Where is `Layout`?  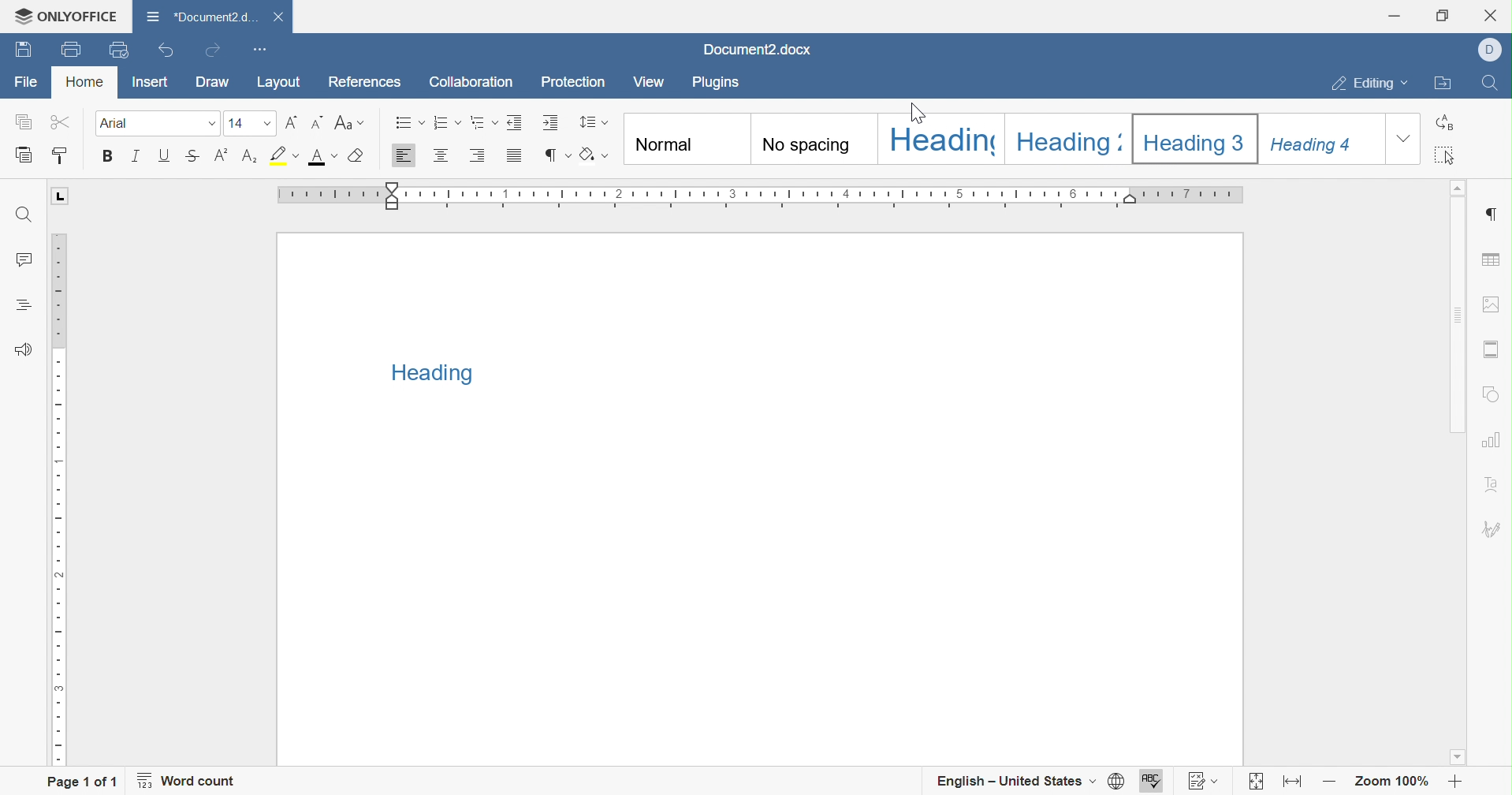
Layout is located at coordinates (281, 82).